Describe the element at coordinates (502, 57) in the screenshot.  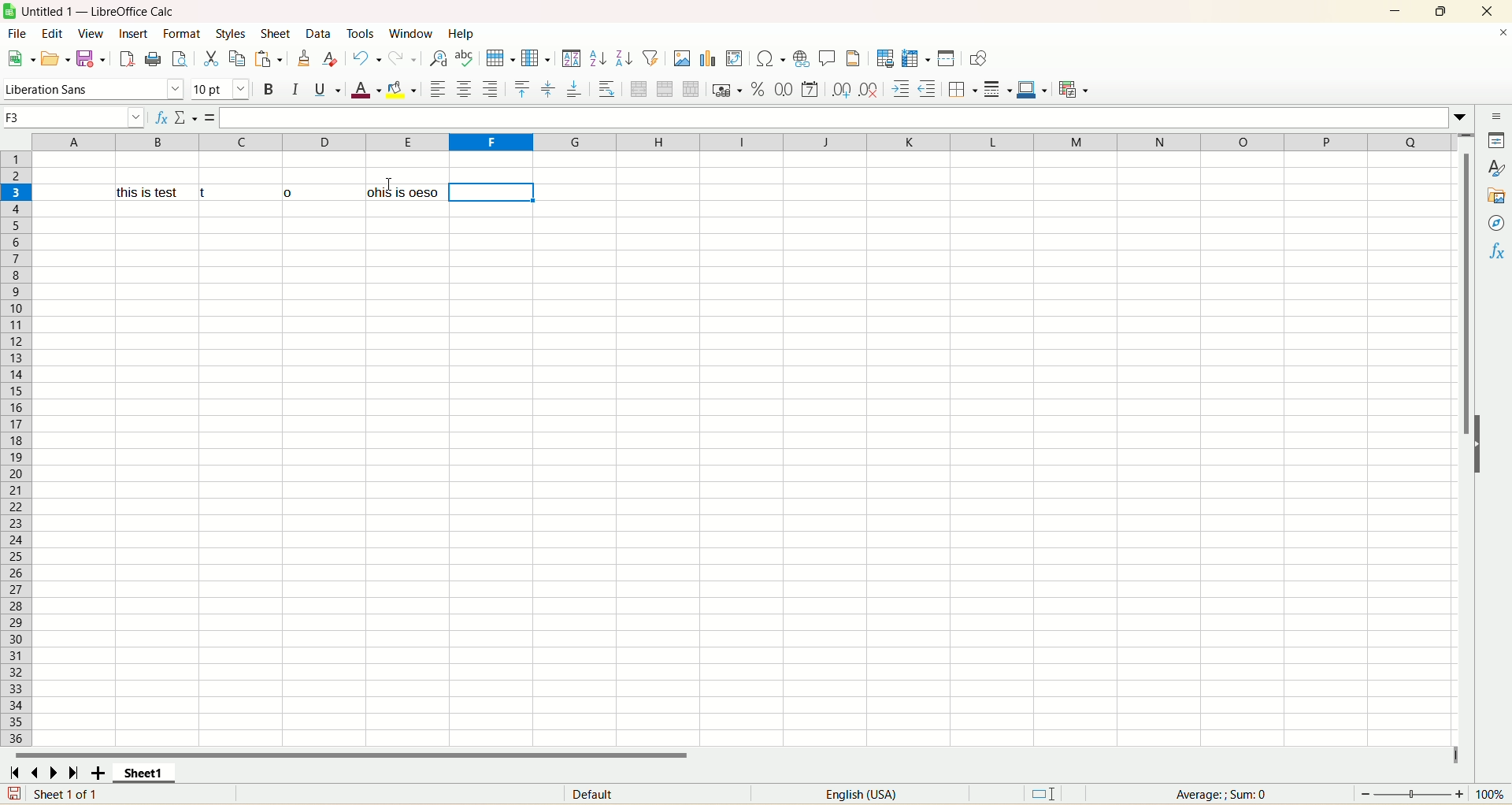
I see `row` at that location.